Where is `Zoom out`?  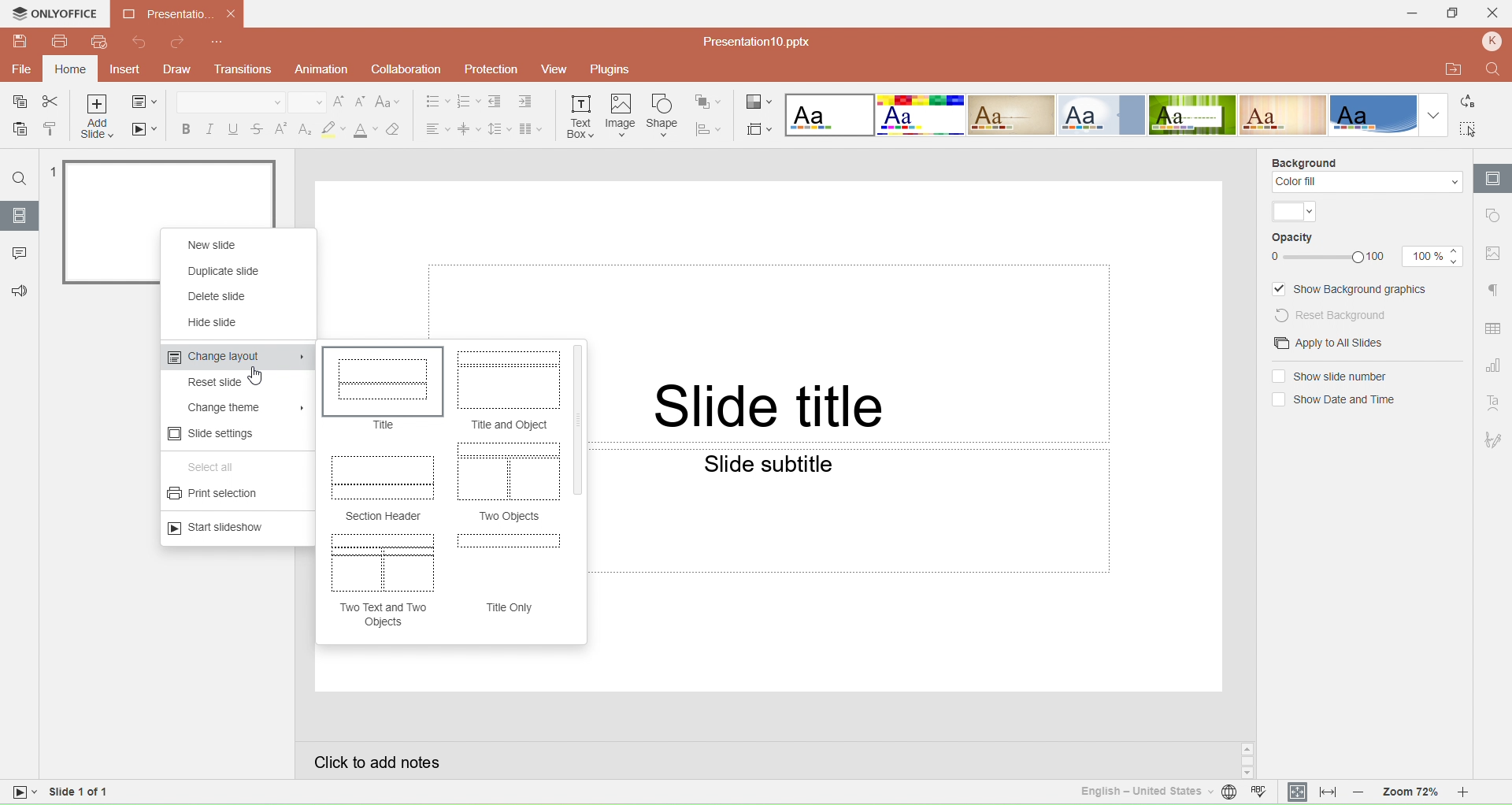
Zoom out is located at coordinates (1359, 792).